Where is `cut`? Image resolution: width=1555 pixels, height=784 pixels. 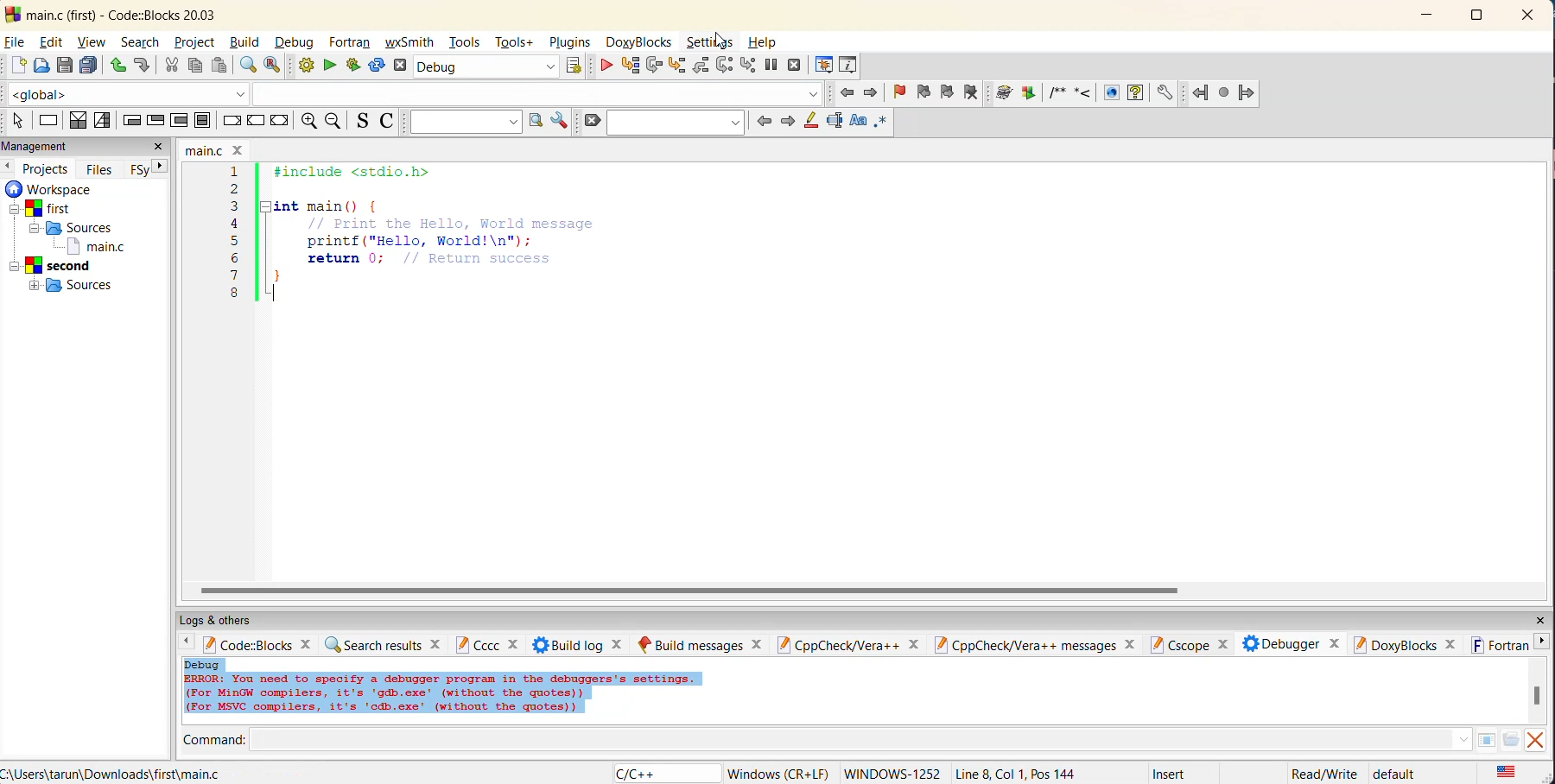 cut is located at coordinates (168, 66).